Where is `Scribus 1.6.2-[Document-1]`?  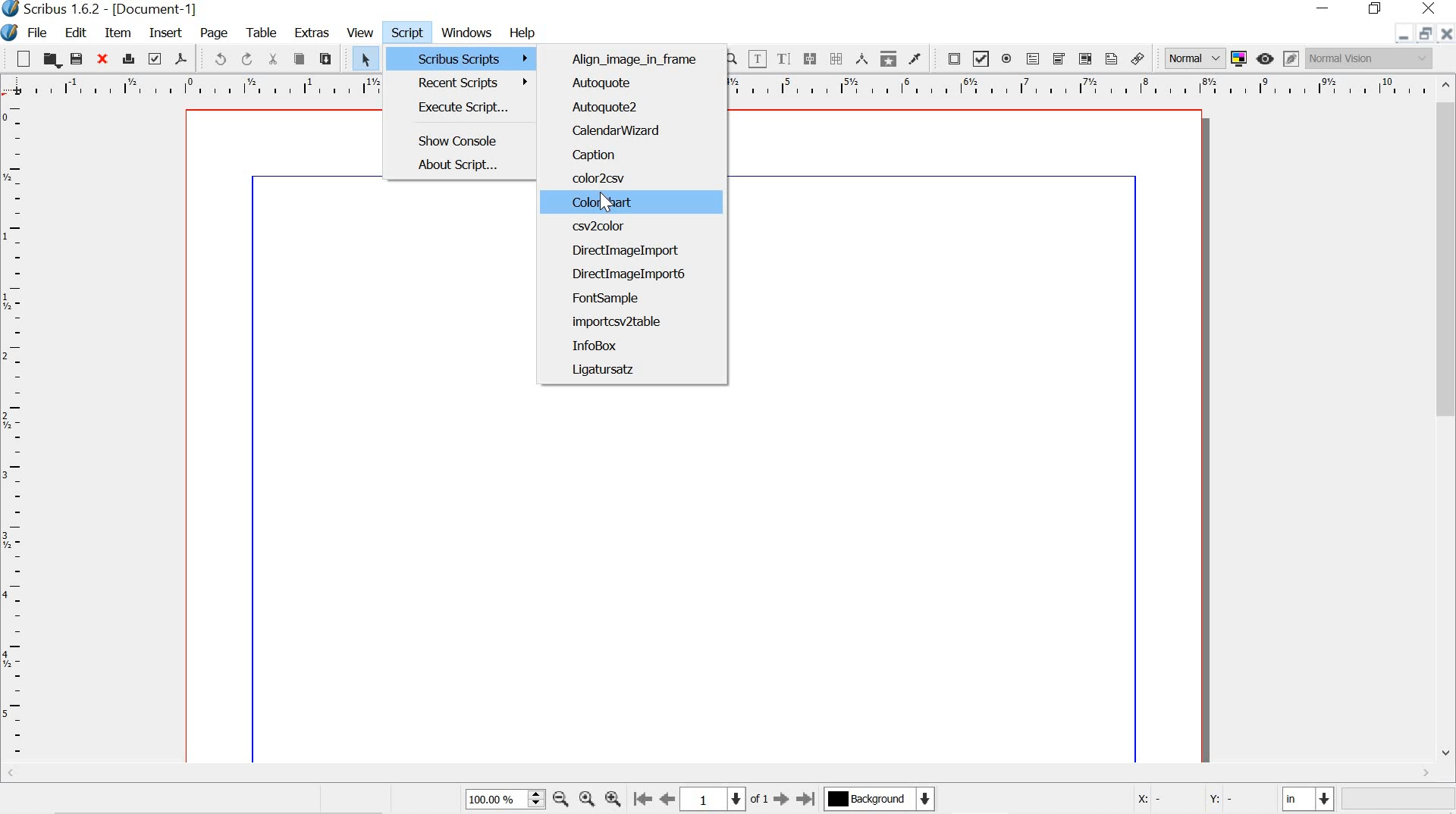 Scribus 1.6.2-[Document-1] is located at coordinates (123, 9).